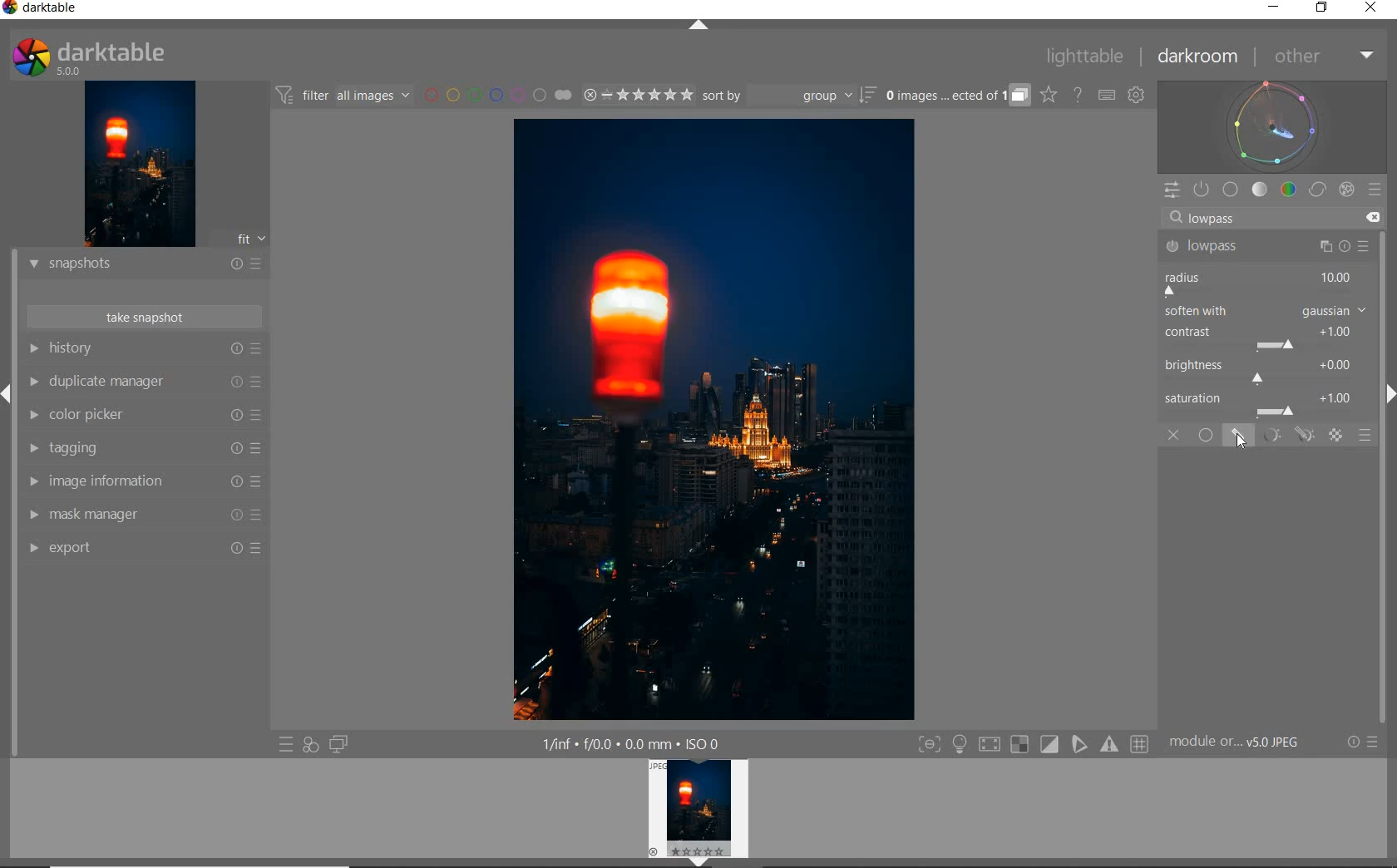 This screenshot has height=868, width=1397. I want to click on Preset and reset, so click(261, 518).